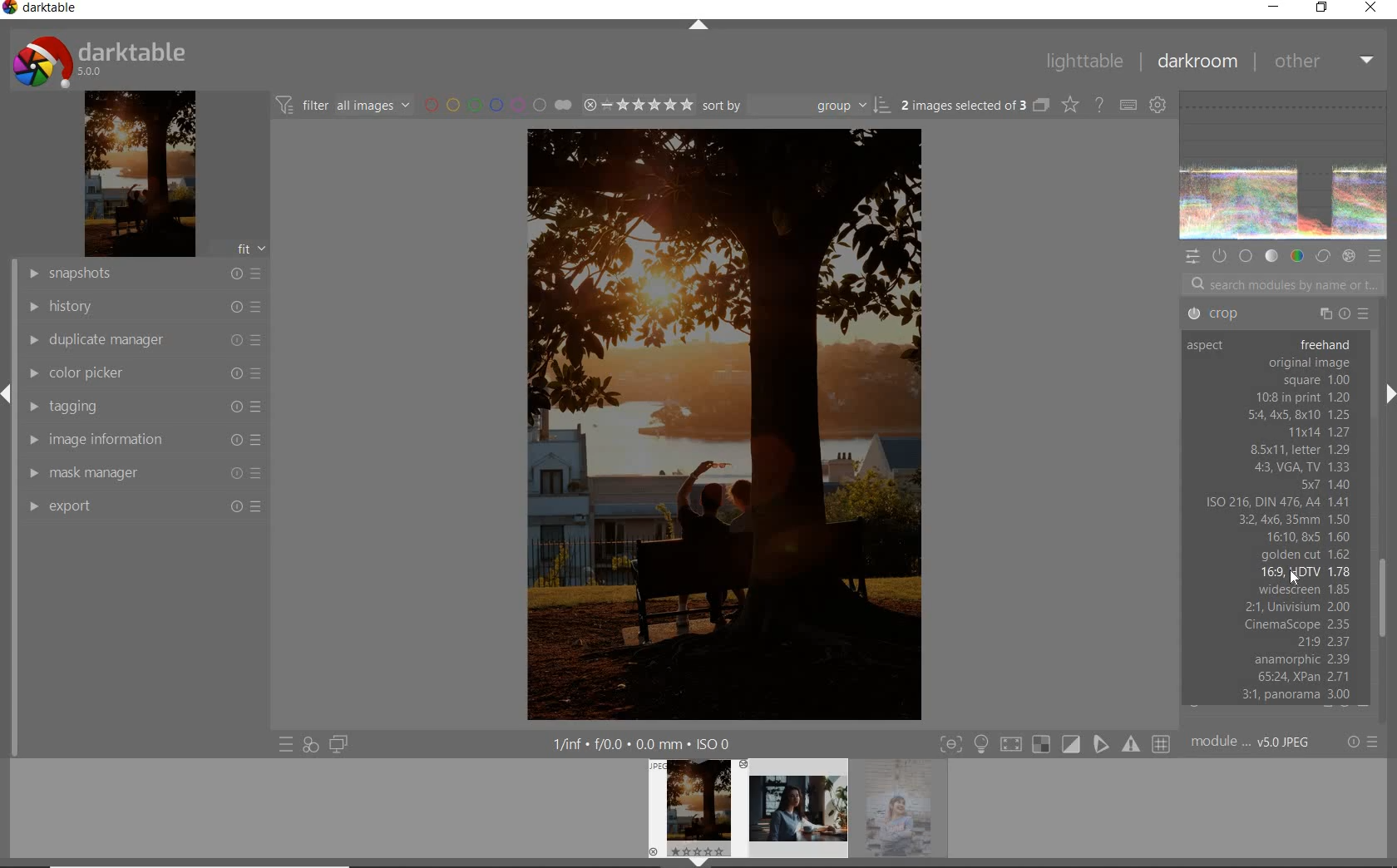 Image resolution: width=1397 pixels, height=868 pixels. I want to click on 16:9, HDTV 1.78, so click(1305, 572).